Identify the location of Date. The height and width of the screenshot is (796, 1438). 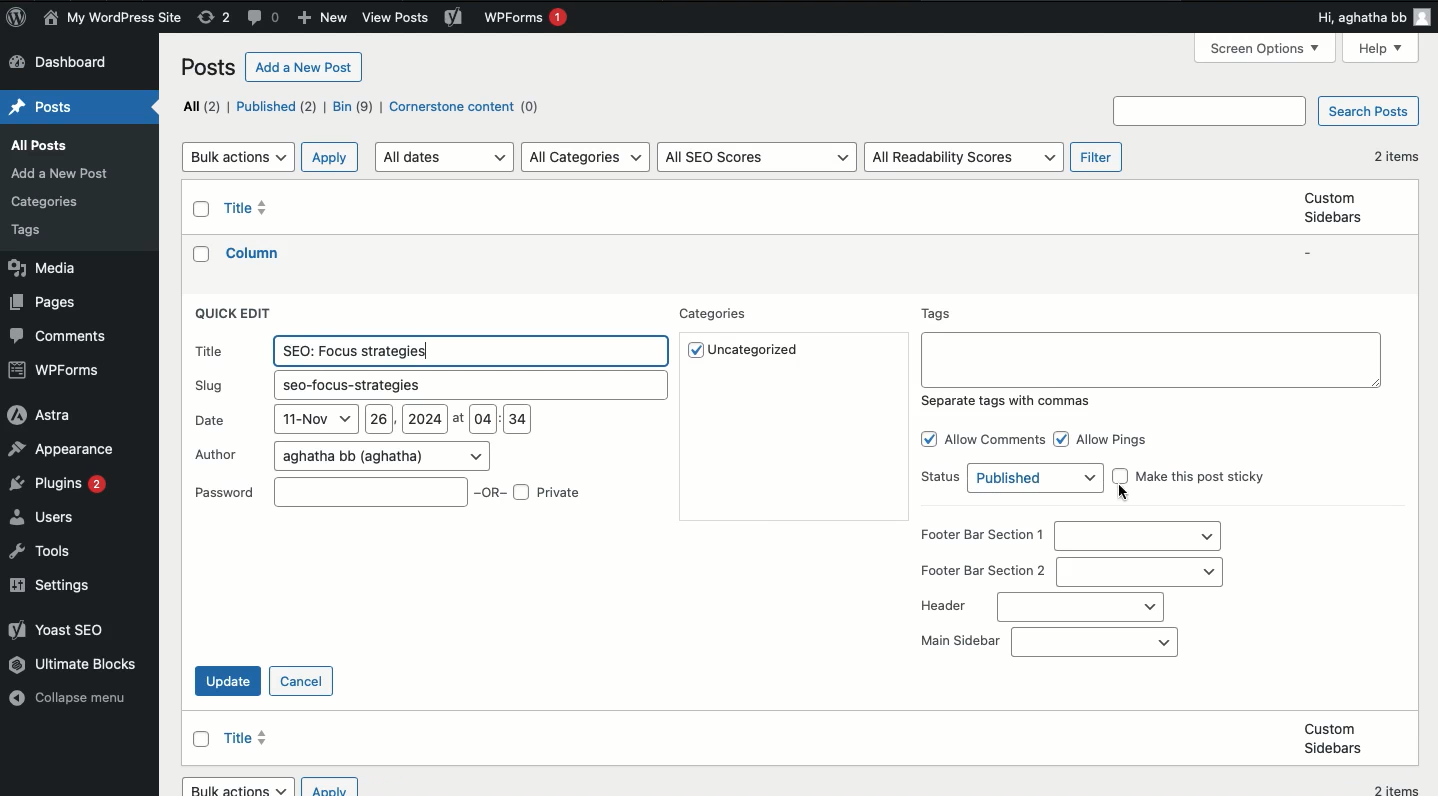
(210, 420).